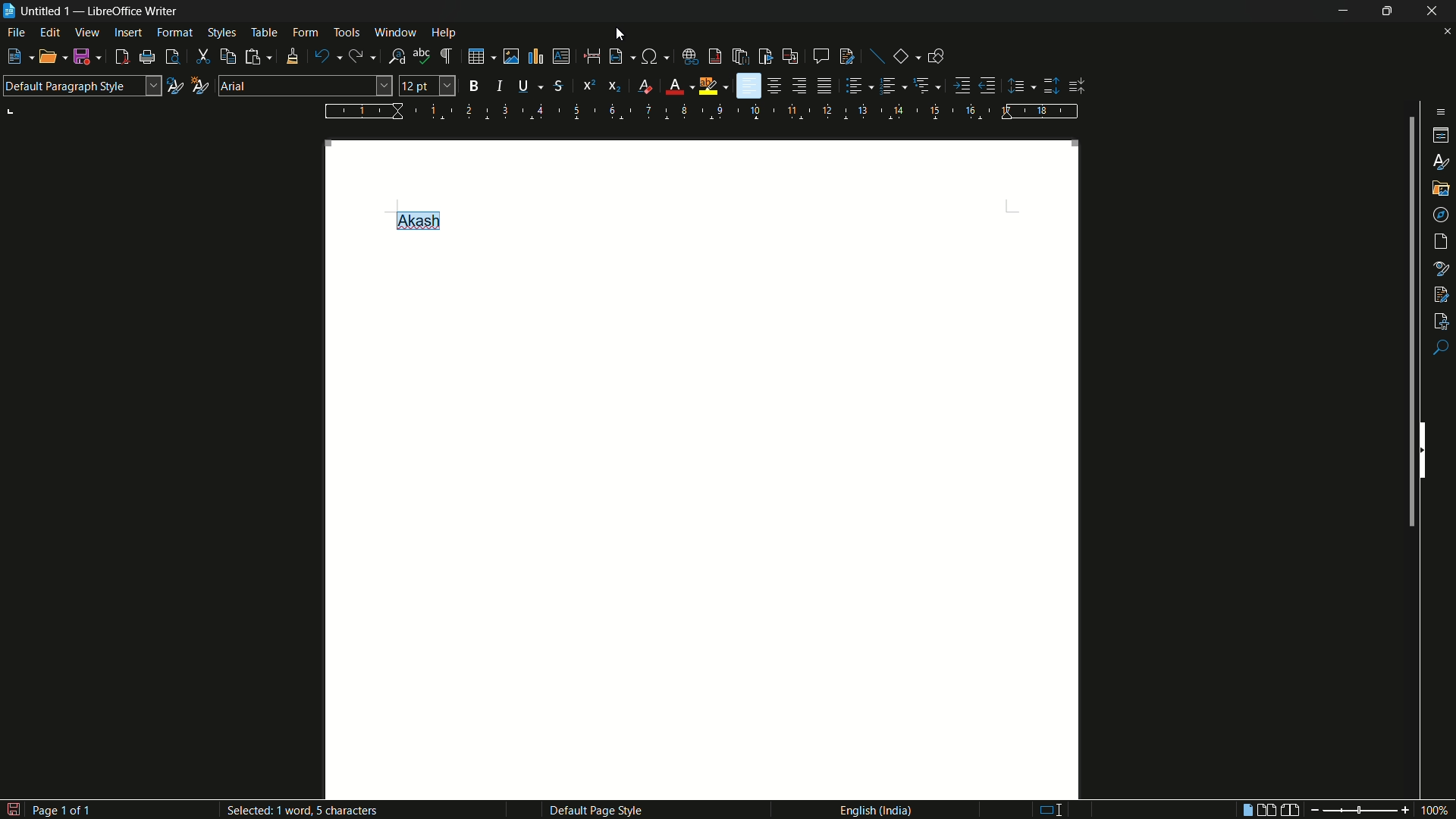 Image resolution: width=1456 pixels, height=819 pixels. Describe the element at coordinates (291, 56) in the screenshot. I see `clone formatting` at that location.